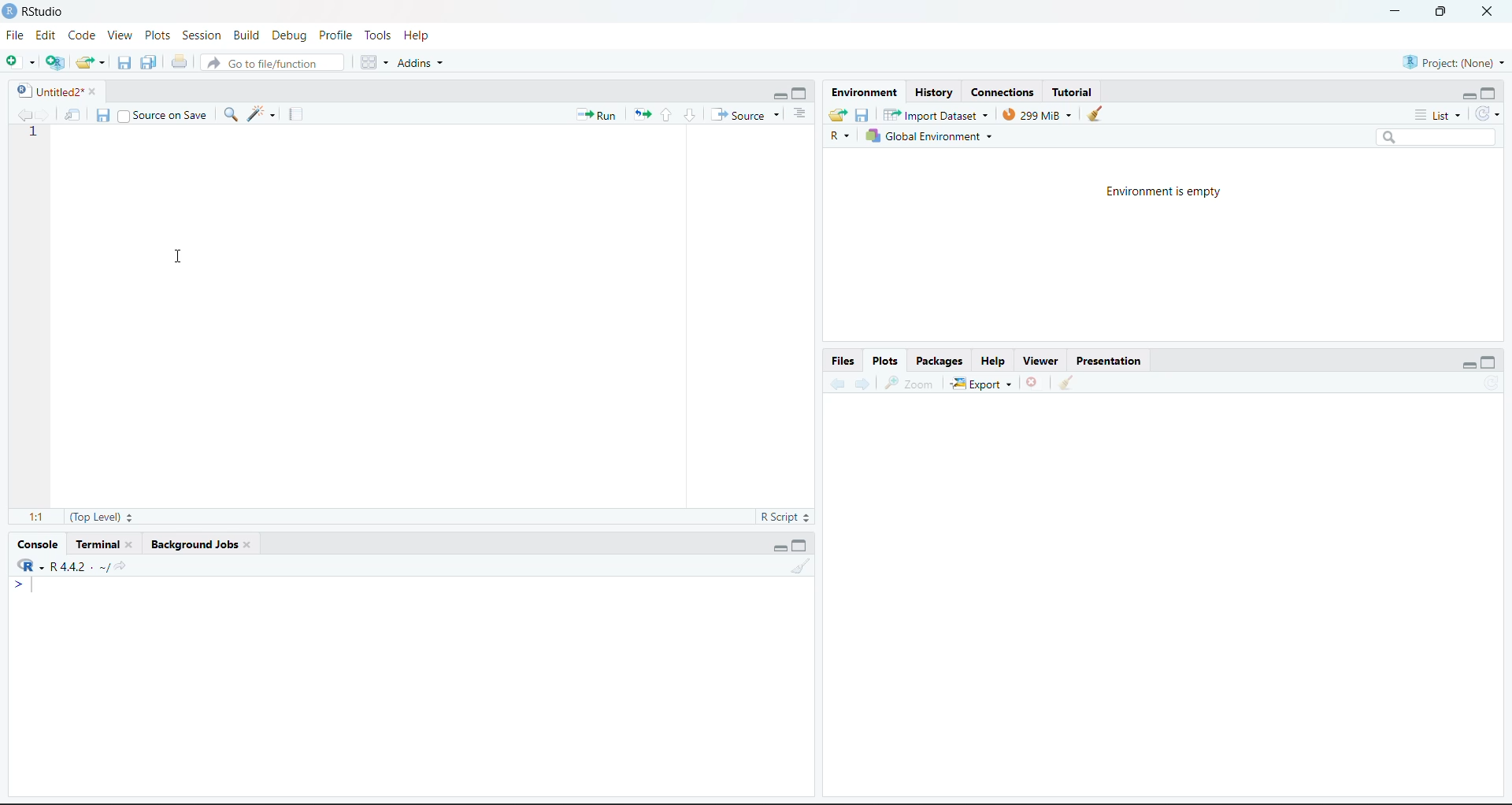  Describe the element at coordinates (888, 360) in the screenshot. I see `Plots` at that location.